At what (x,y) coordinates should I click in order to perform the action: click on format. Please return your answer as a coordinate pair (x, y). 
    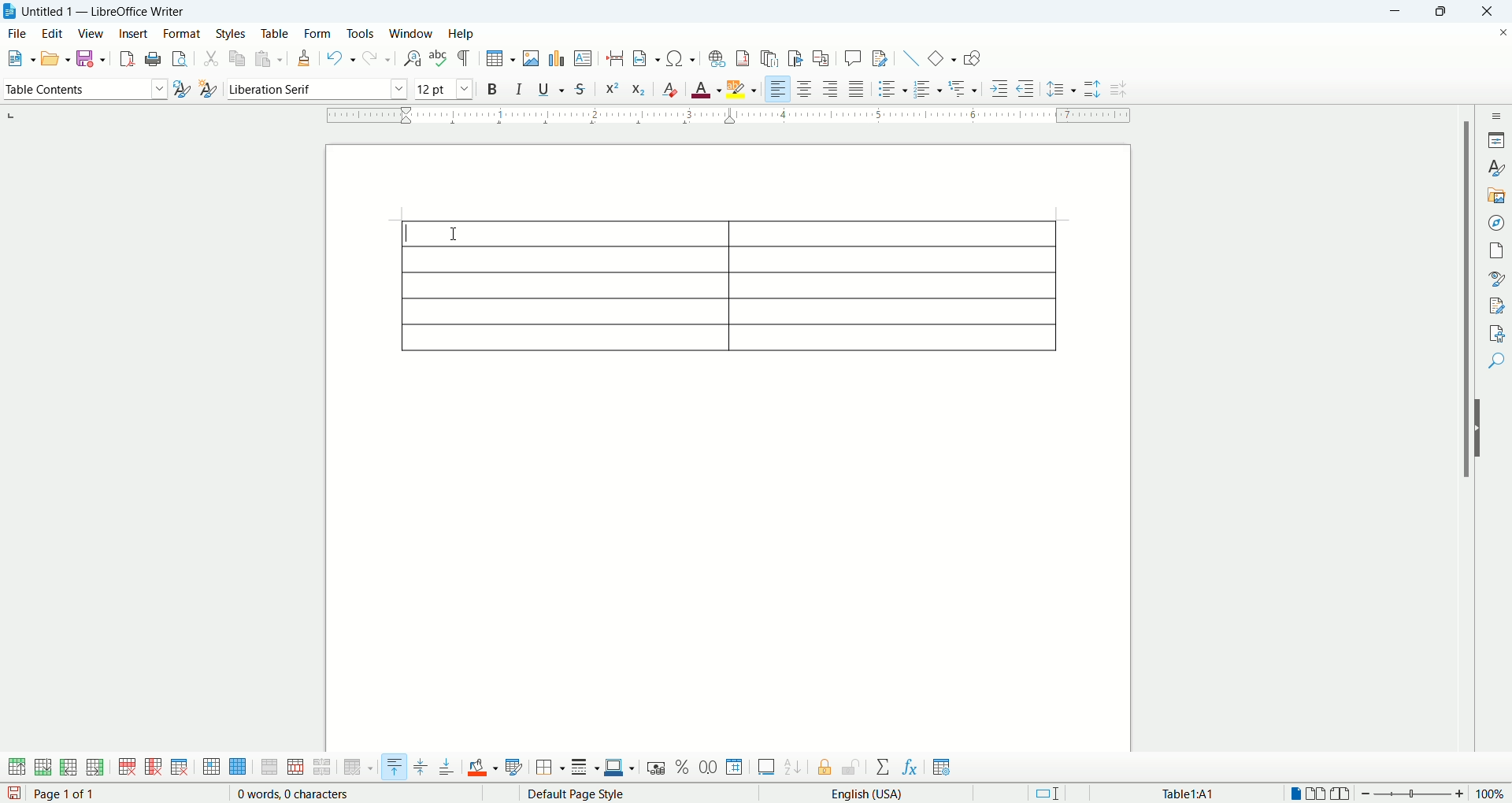
    Looking at the image, I should click on (182, 33).